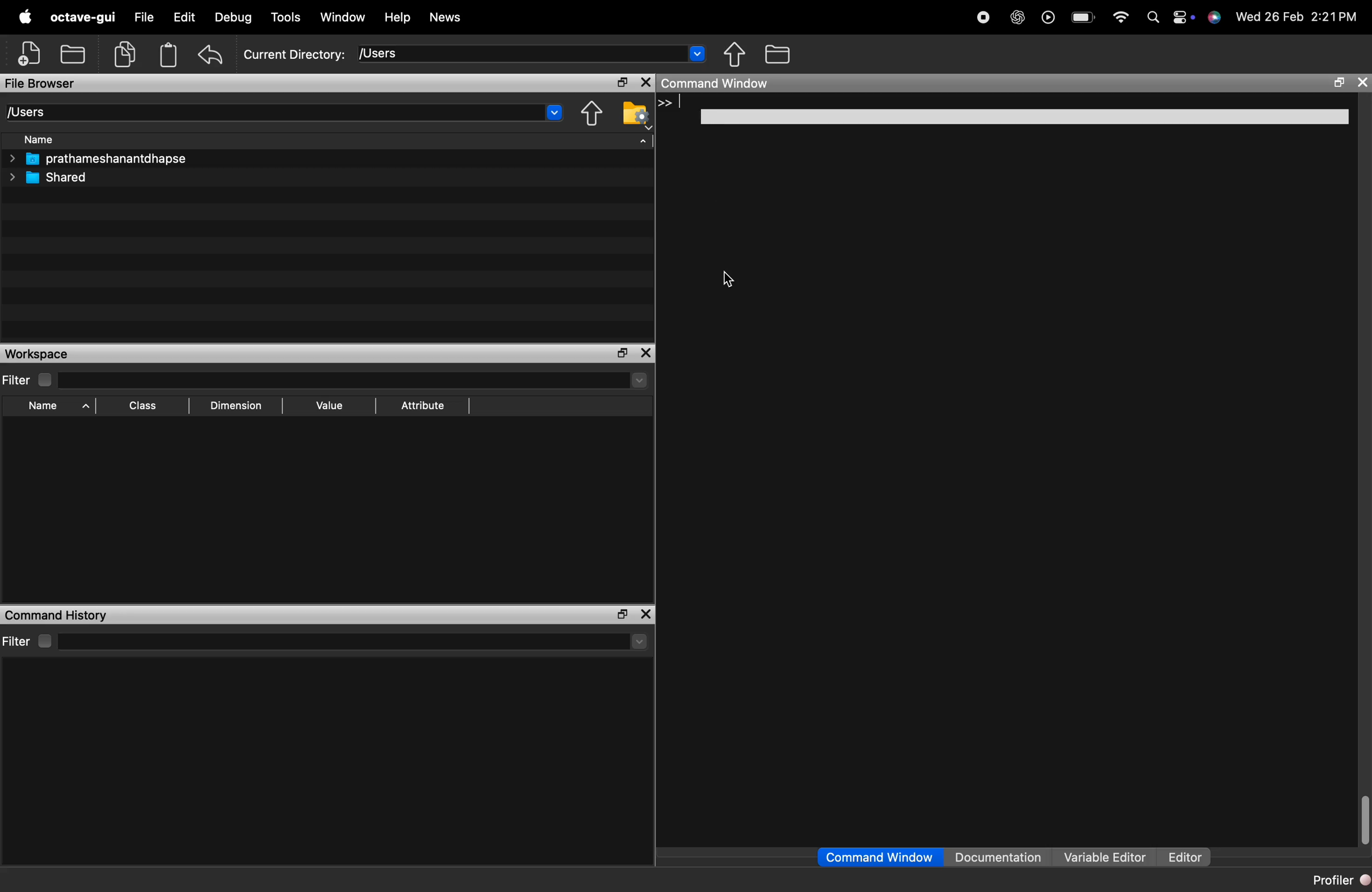  Describe the element at coordinates (726, 278) in the screenshot. I see `cursor` at that location.